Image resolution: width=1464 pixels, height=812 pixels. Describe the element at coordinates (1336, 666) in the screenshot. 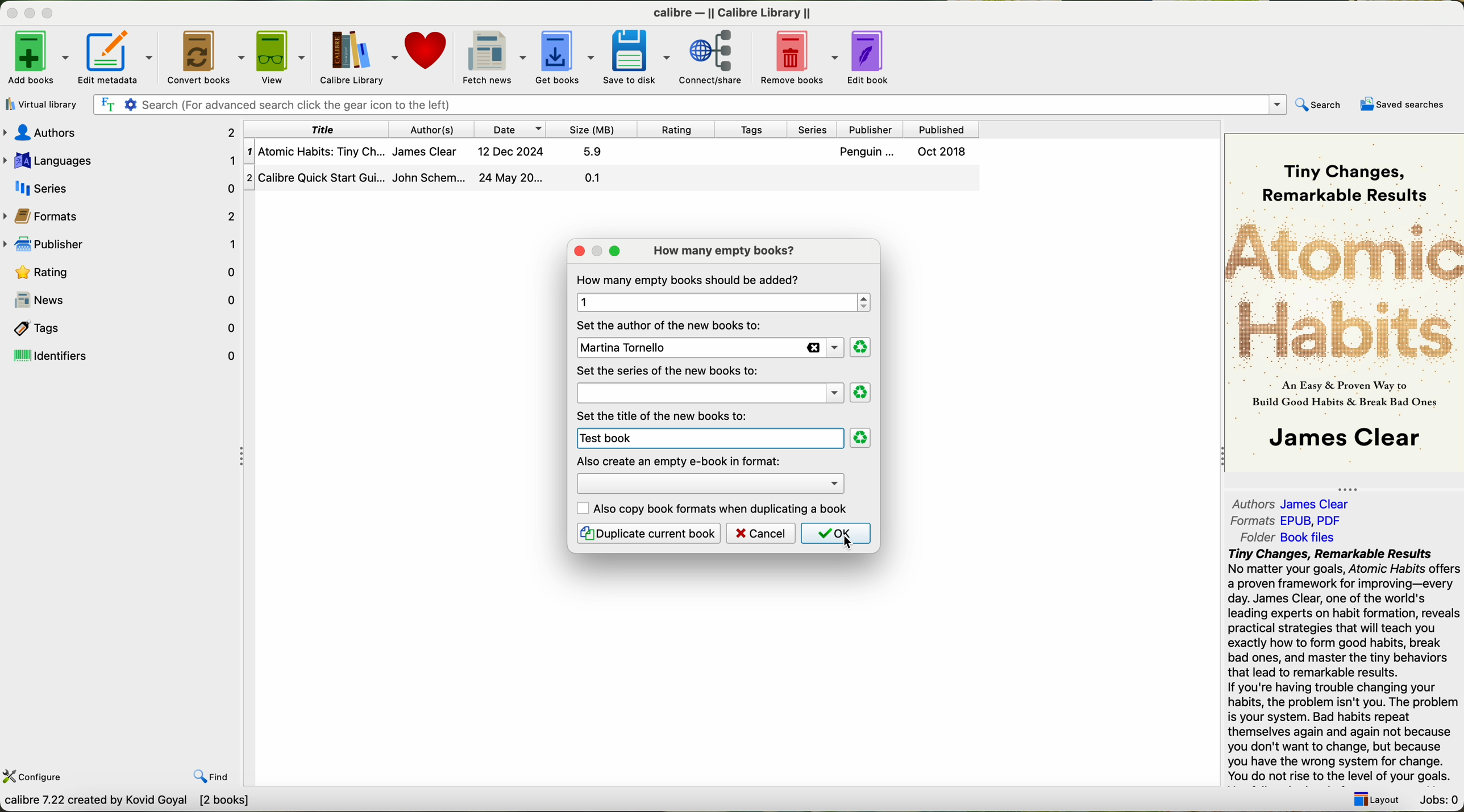

I see `try changes remarkable results no matter your goals ,Atomic Habits offers a proven framework for improvity every day ,James Clear one of the word's leading expert on habit formation reveals practice startegies that will teach you howto form break bad ones and improve tiny beahbviors turn in ramarkable results.you do not rise to the level of your goals.` at that location.